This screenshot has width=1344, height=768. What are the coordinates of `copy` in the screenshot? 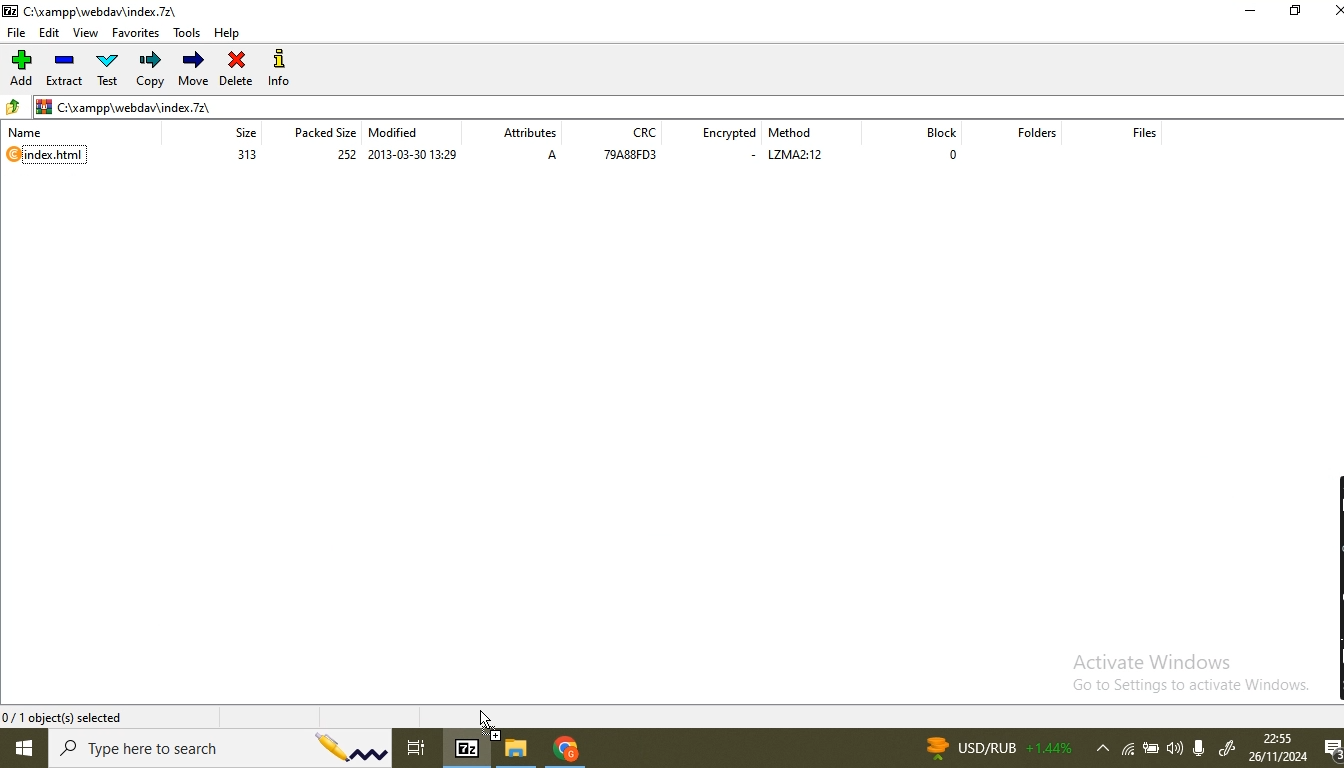 It's located at (150, 70).